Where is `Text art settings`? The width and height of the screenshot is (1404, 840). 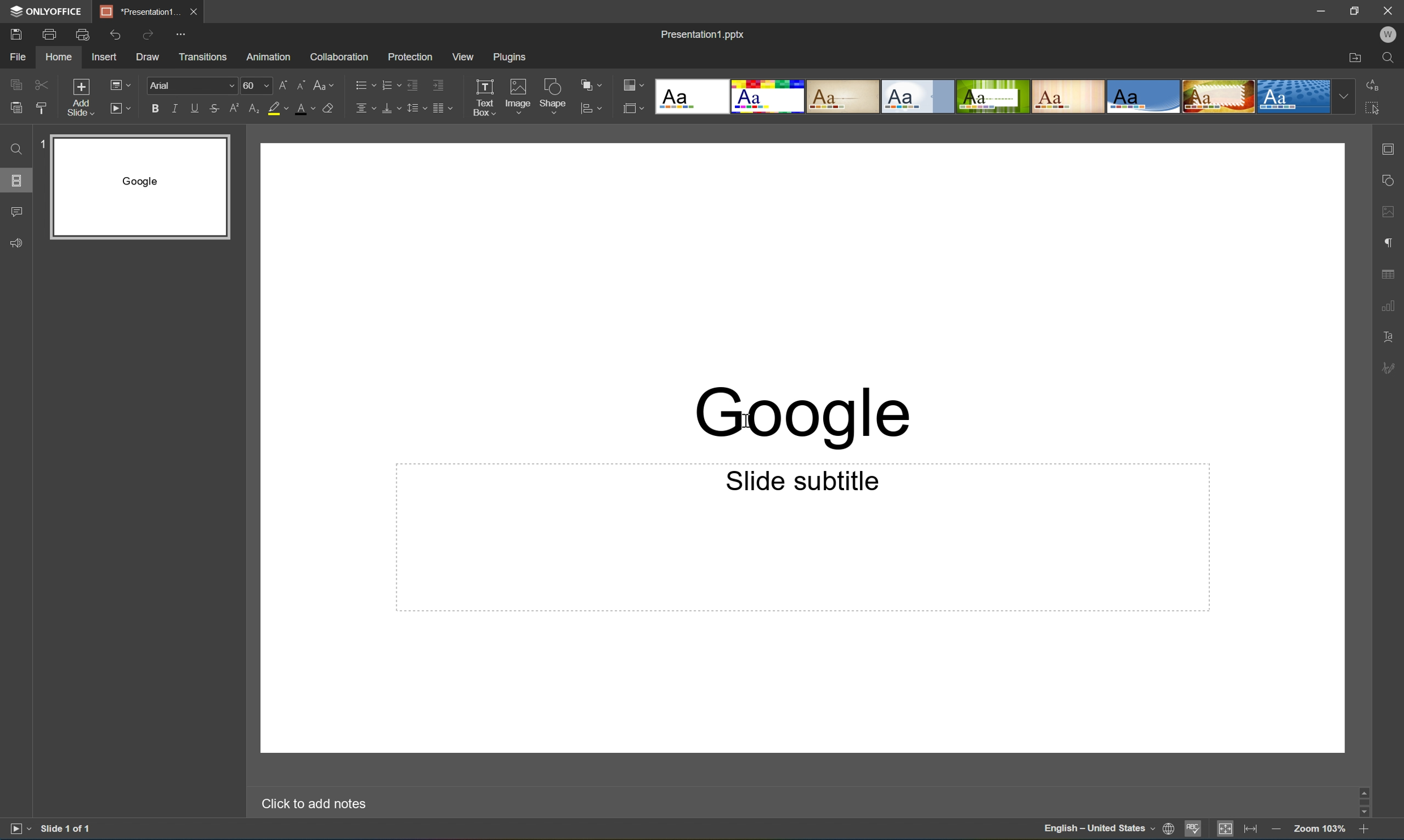
Text art settings is located at coordinates (1393, 335).